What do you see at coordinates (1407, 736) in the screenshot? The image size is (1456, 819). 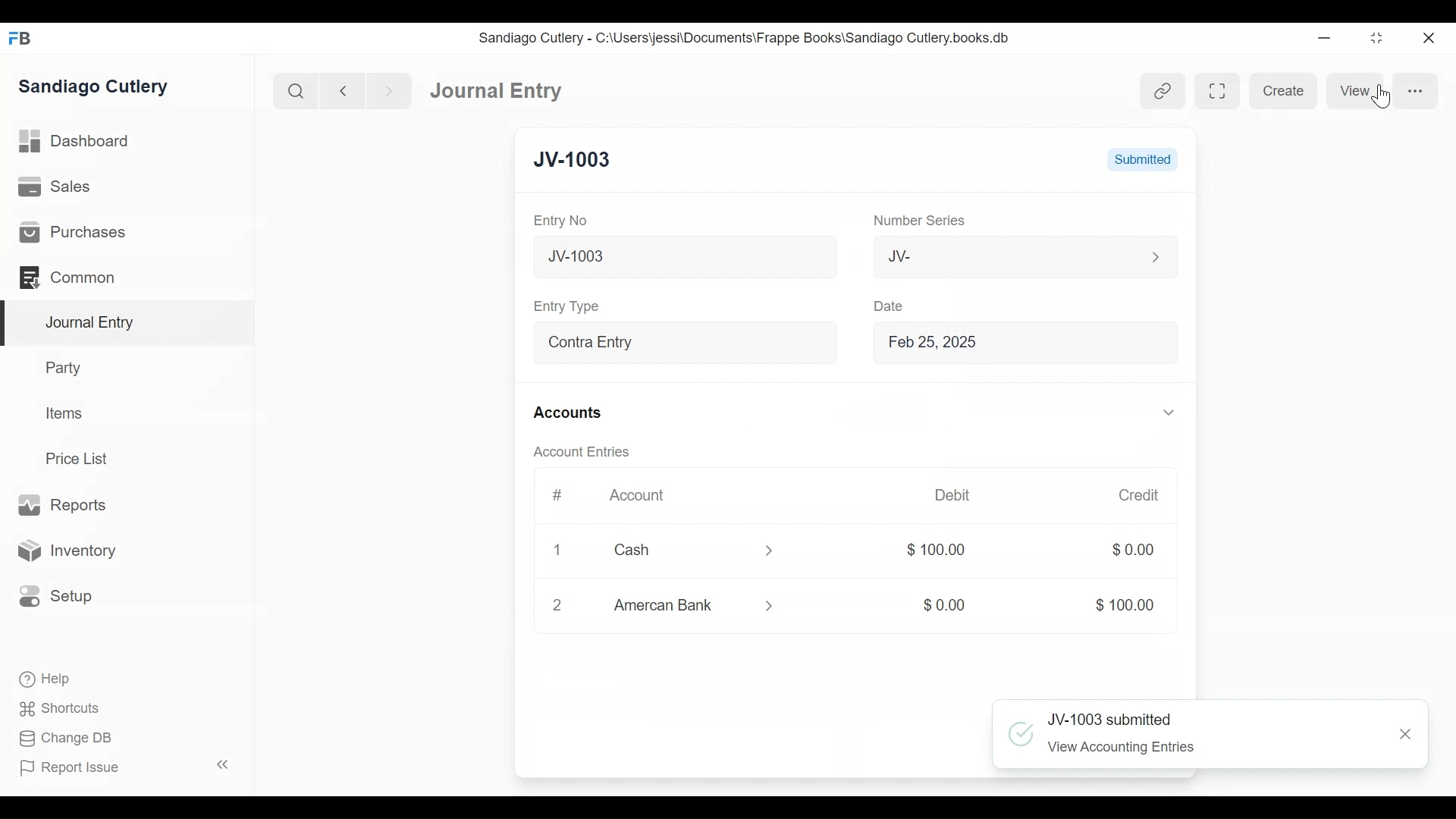 I see `Close` at bounding box center [1407, 736].